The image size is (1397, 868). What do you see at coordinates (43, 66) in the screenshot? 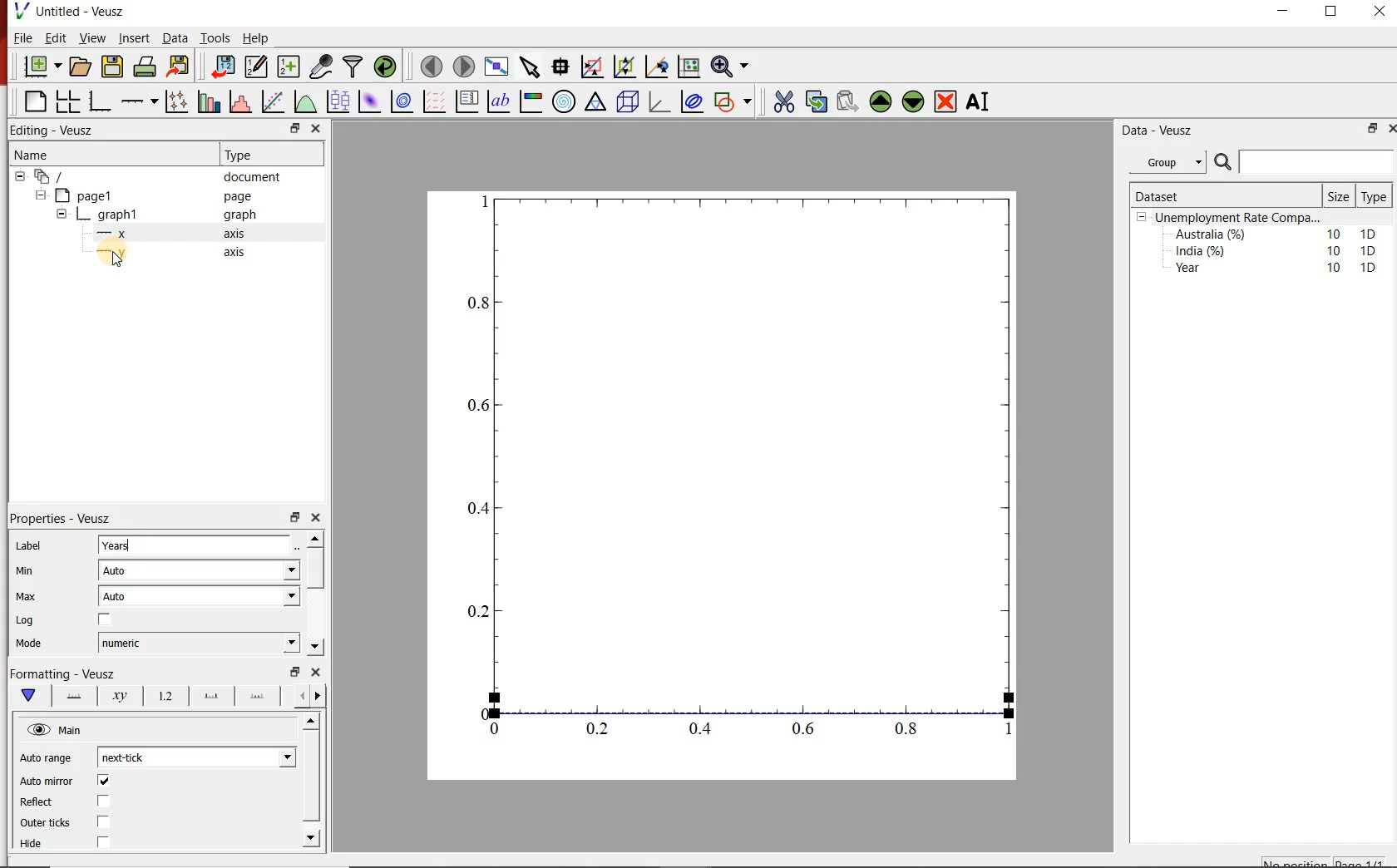
I see `new document` at bounding box center [43, 66].